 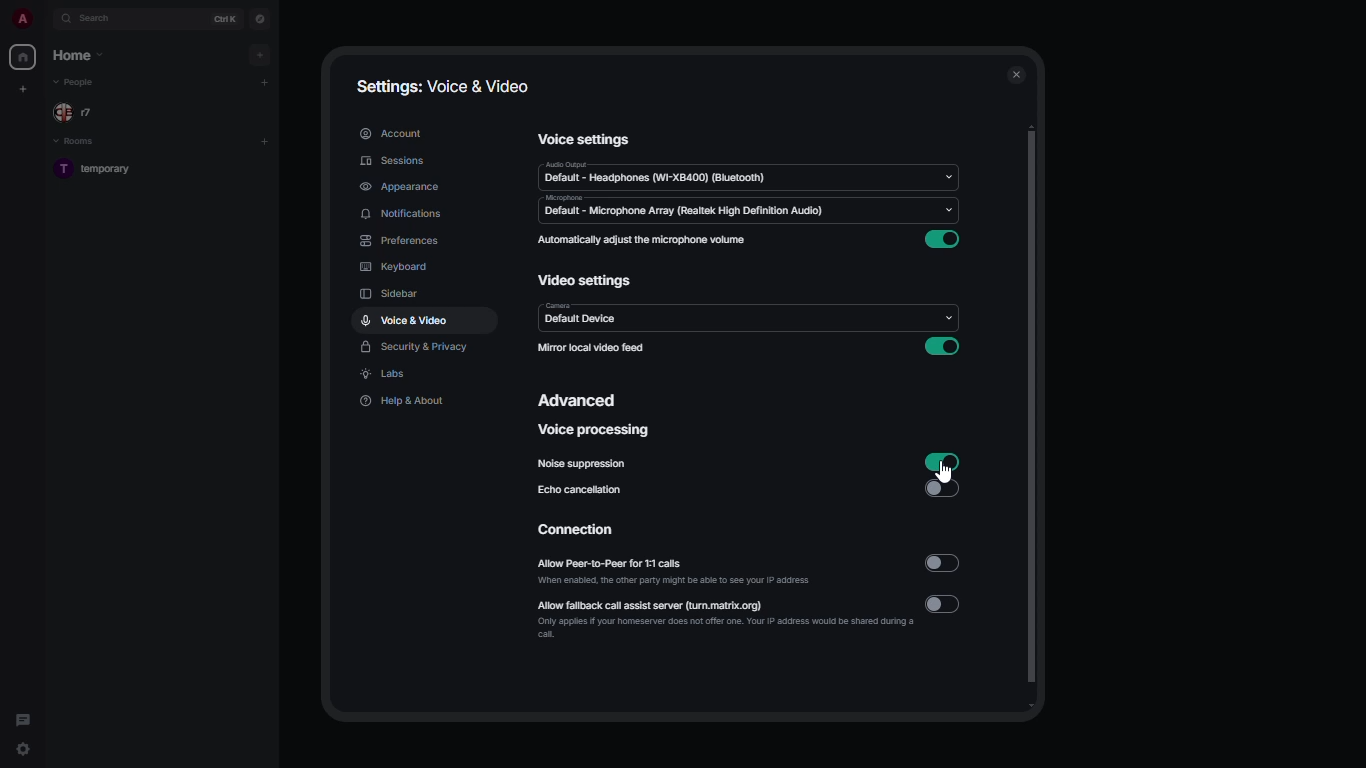 I want to click on drop down, so click(x=947, y=320).